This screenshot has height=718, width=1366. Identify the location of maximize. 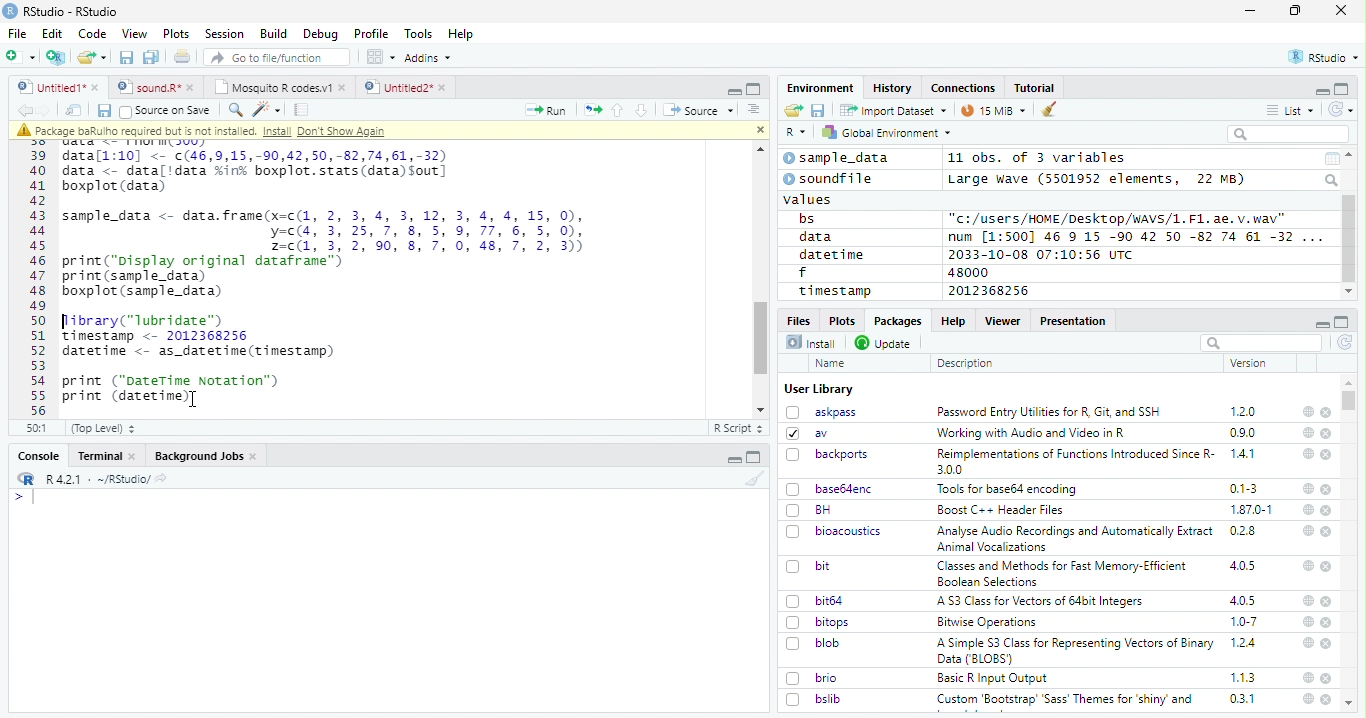
(1295, 11).